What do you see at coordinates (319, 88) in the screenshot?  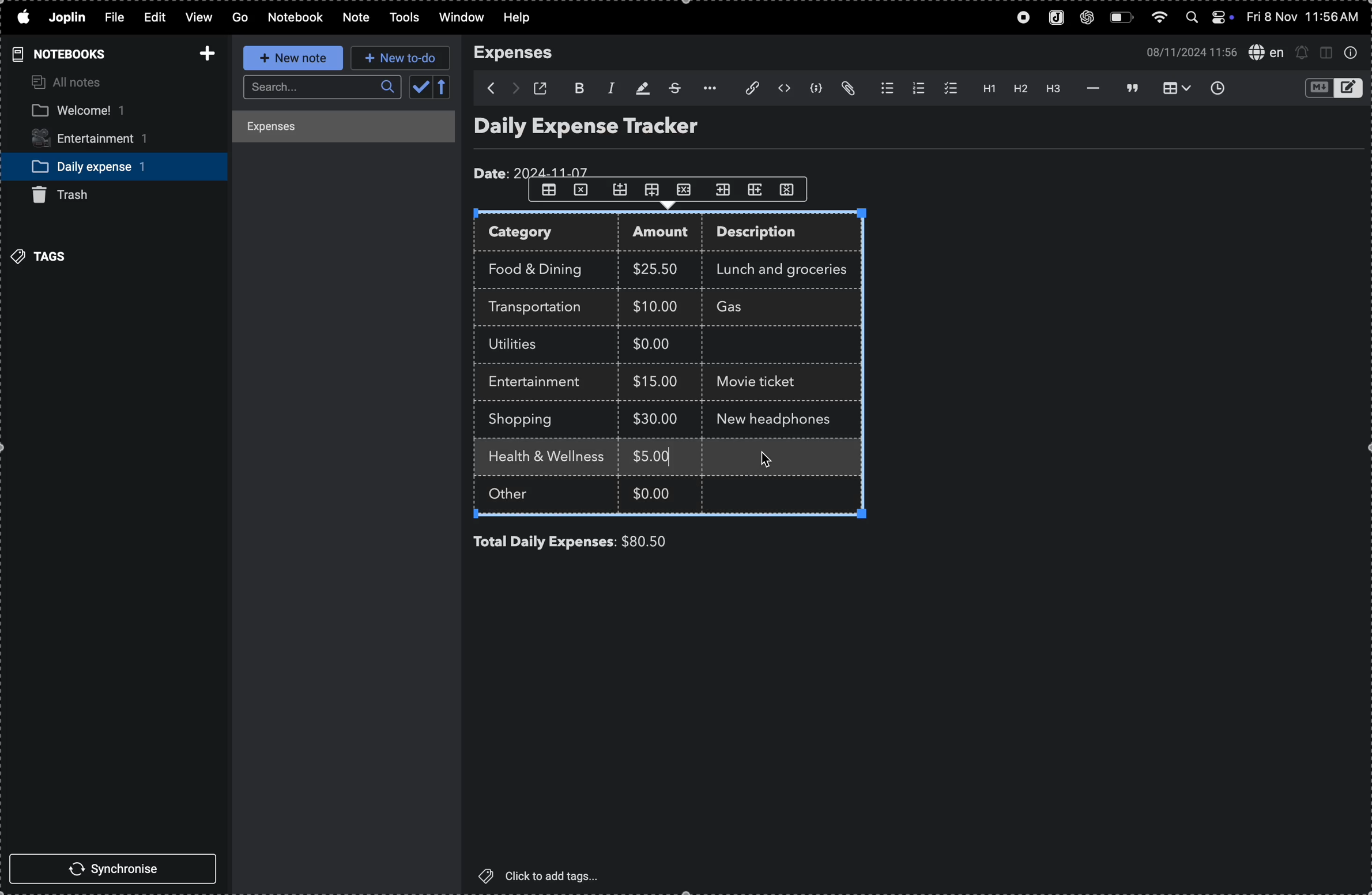 I see `search bar` at bounding box center [319, 88].